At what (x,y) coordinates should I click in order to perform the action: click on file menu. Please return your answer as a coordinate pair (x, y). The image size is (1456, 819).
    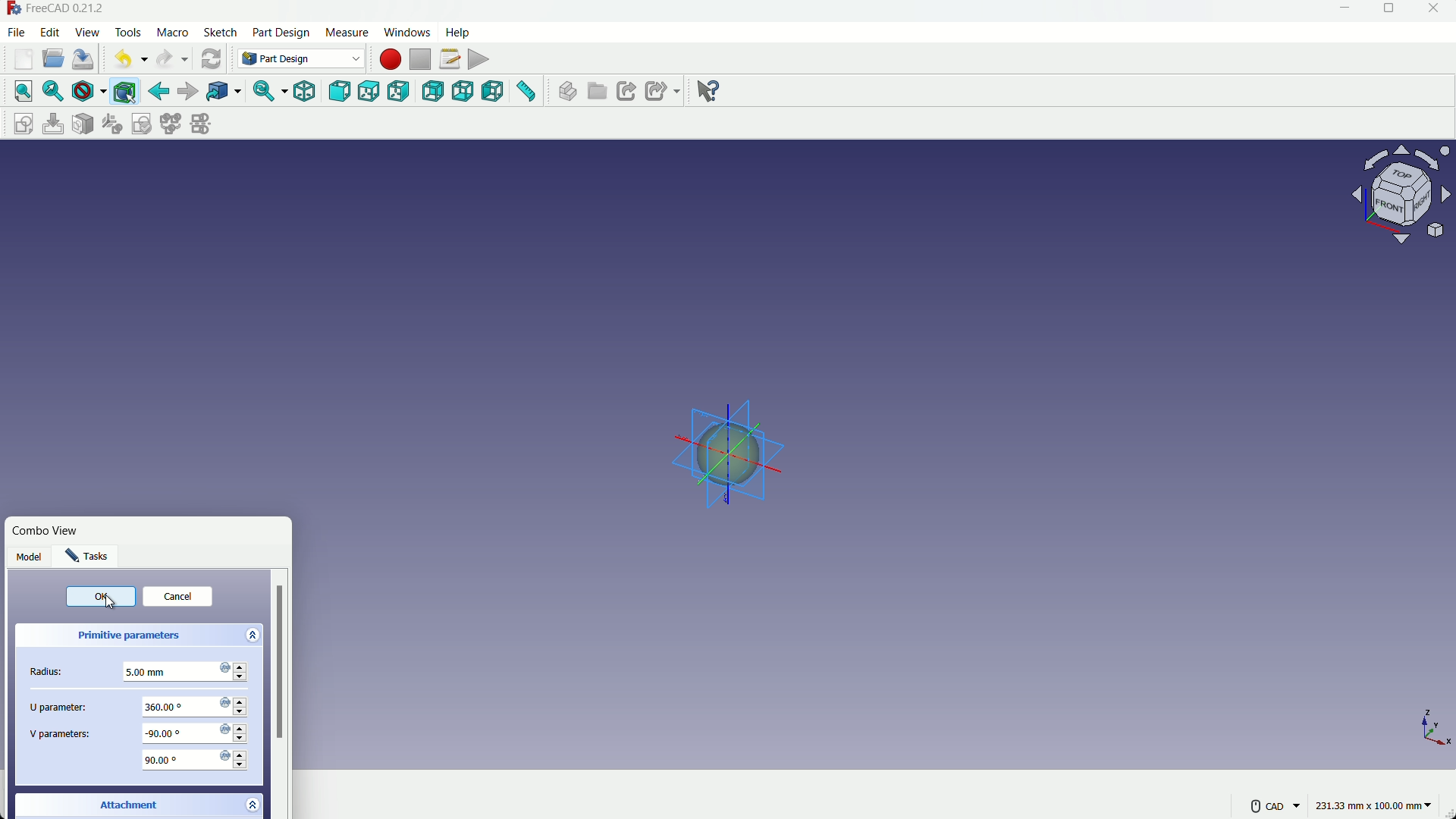
    Looking at the image, I should click on (17, 33).